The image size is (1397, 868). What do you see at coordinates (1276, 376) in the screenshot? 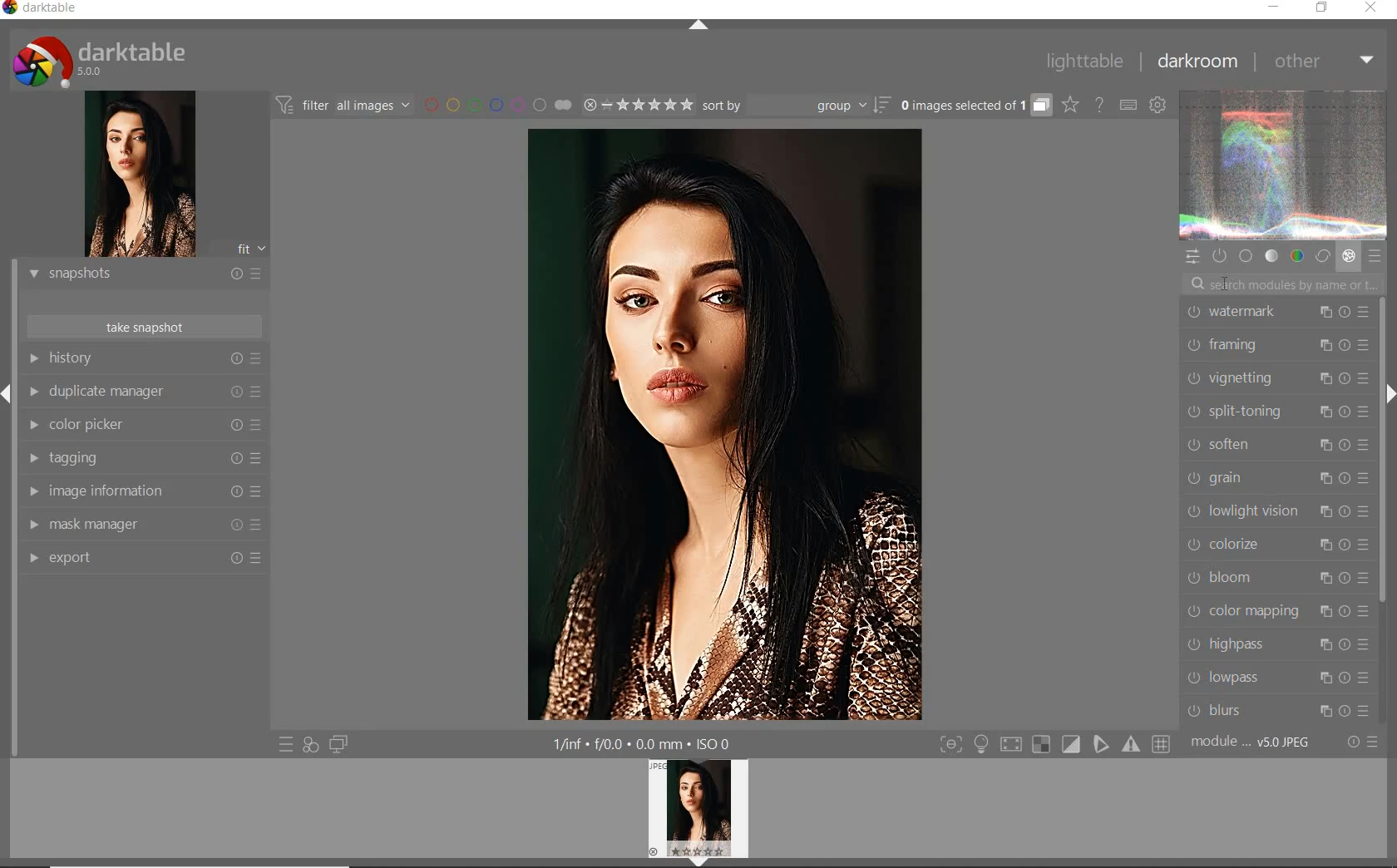
I see `VIGNETTING` at bounding box center [1276, 376].